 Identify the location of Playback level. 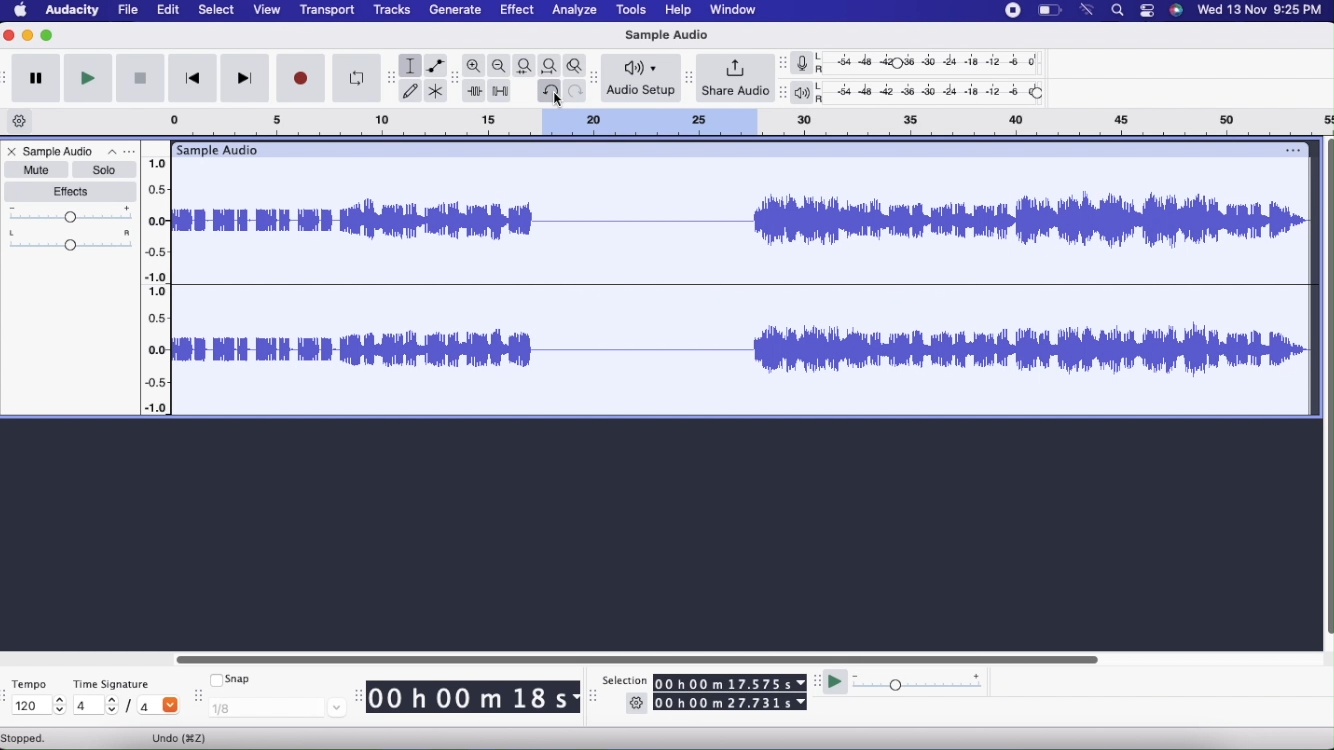
(938, 94).